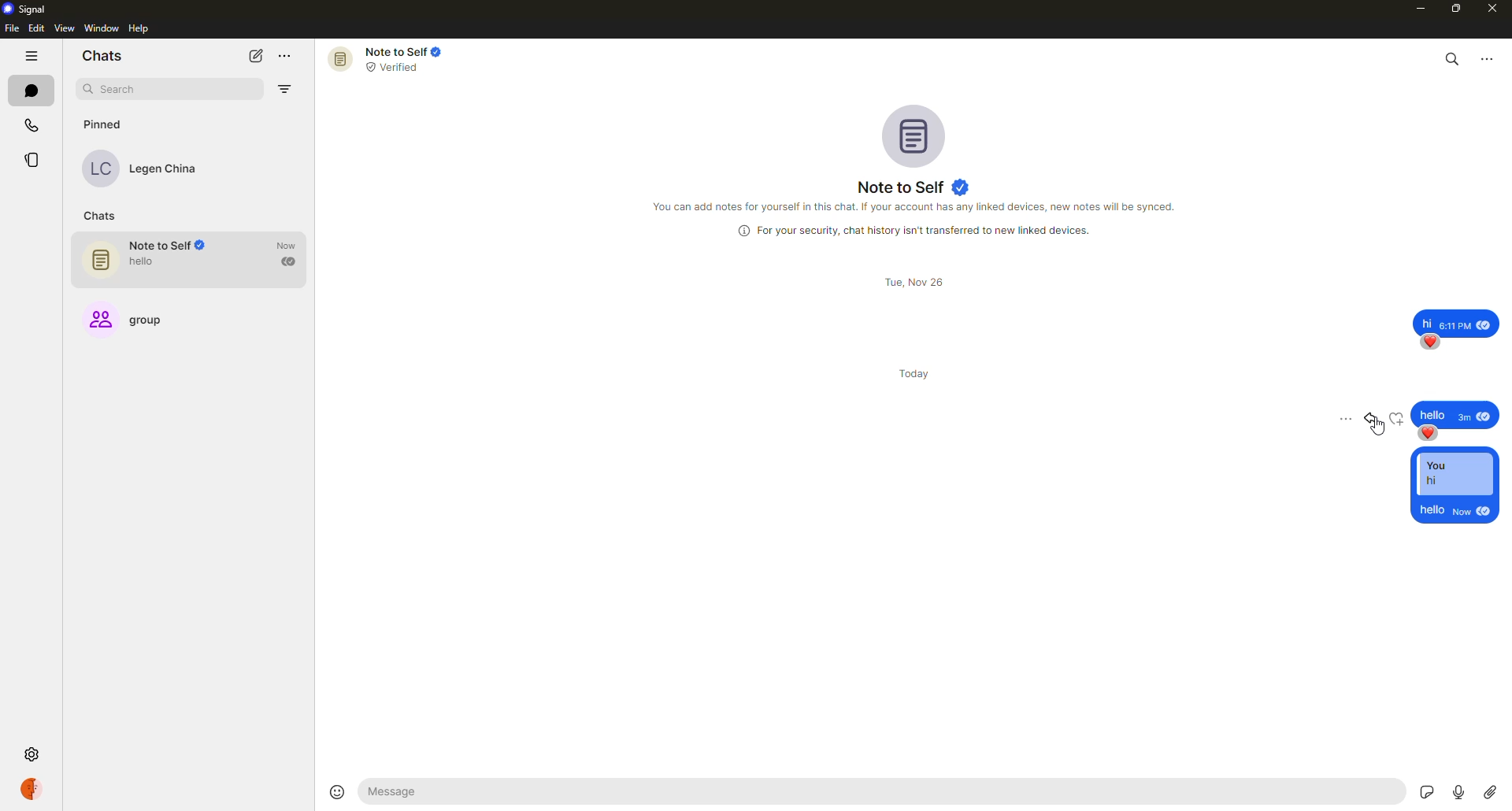 Image resolution: width=1512 pixels, height=811 pixels. What do you see at coordinates (101, 28) in the screenshot?
I see `window` at bounding box center [101, 28].